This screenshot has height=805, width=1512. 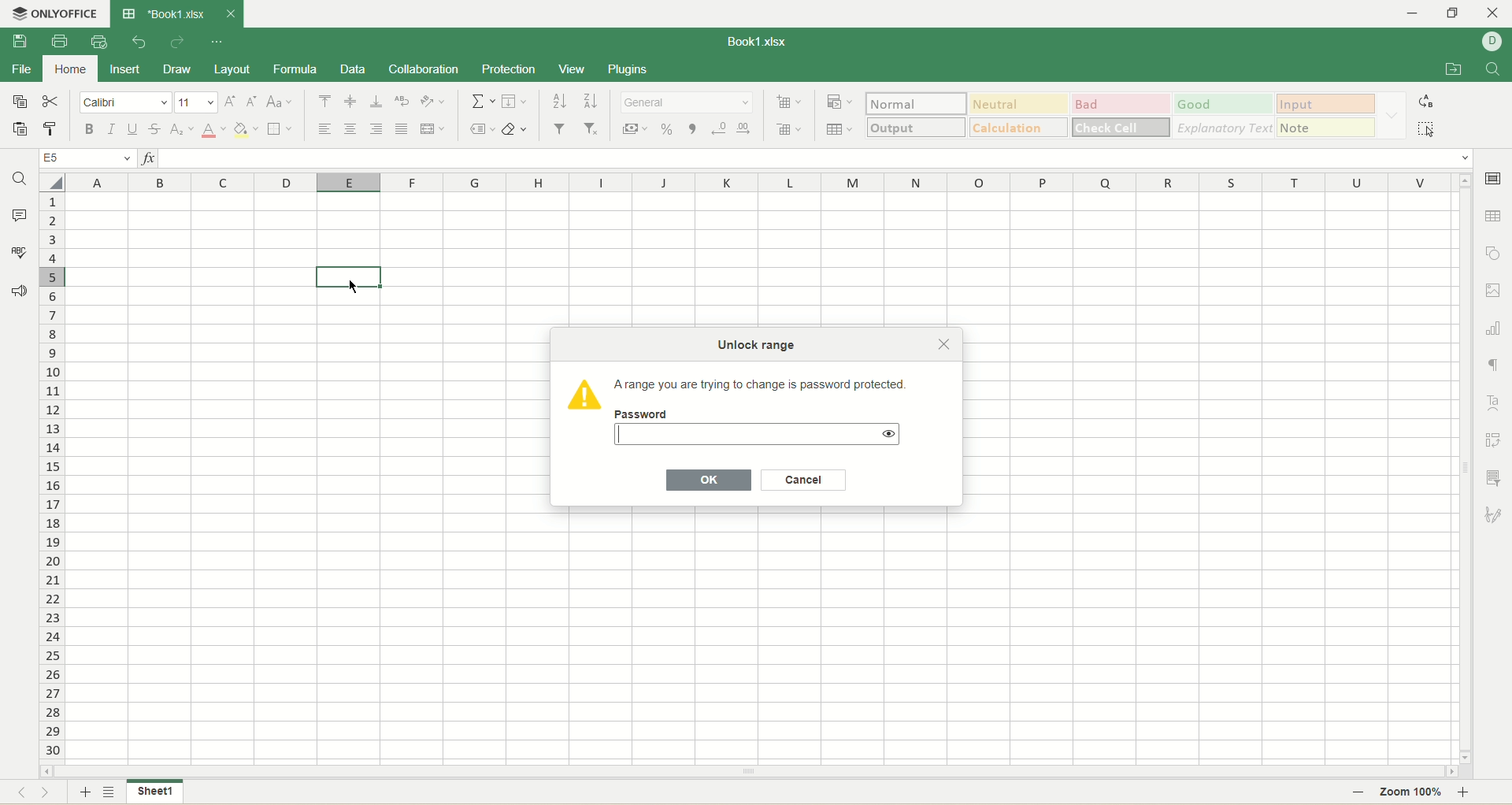 I want to click on insert, so click(x=126, y=69).